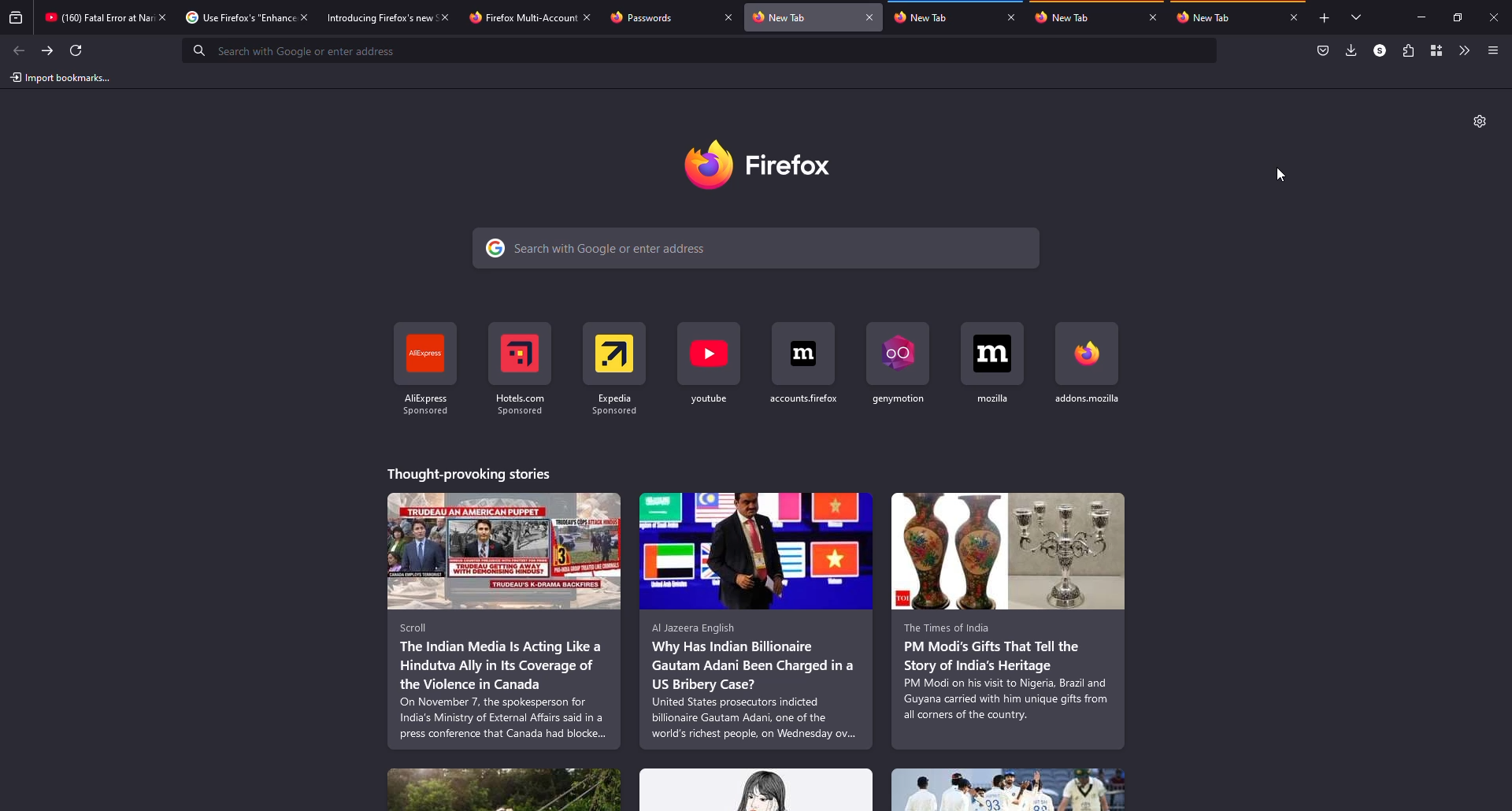 This screenshot has height=811, width=1512. Describe the element at coordinates (1154, 17) in the screenshot. I see `close` at that location.